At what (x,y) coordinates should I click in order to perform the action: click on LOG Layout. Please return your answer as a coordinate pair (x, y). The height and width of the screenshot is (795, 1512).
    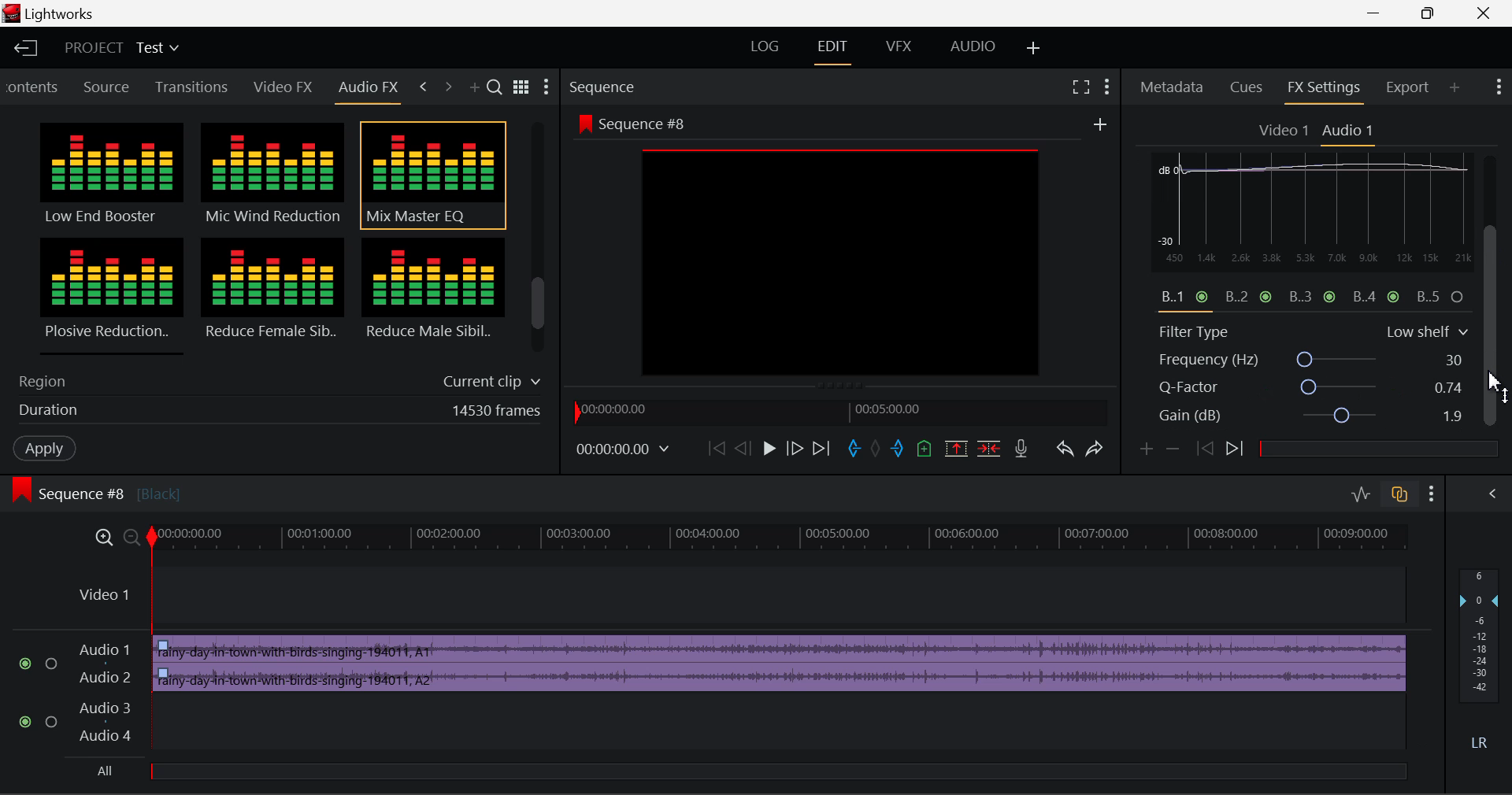
    Looking at the image, I should click on (762, 47).